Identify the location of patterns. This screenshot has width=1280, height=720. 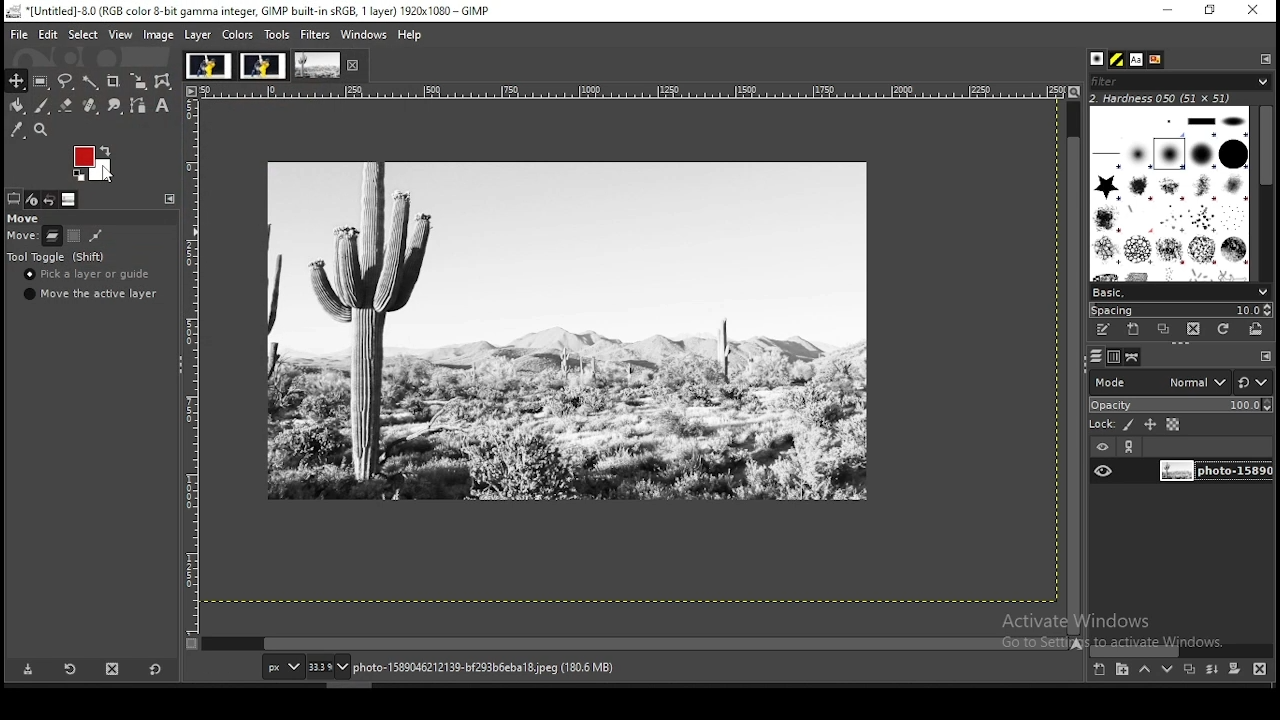
(1118, 59).